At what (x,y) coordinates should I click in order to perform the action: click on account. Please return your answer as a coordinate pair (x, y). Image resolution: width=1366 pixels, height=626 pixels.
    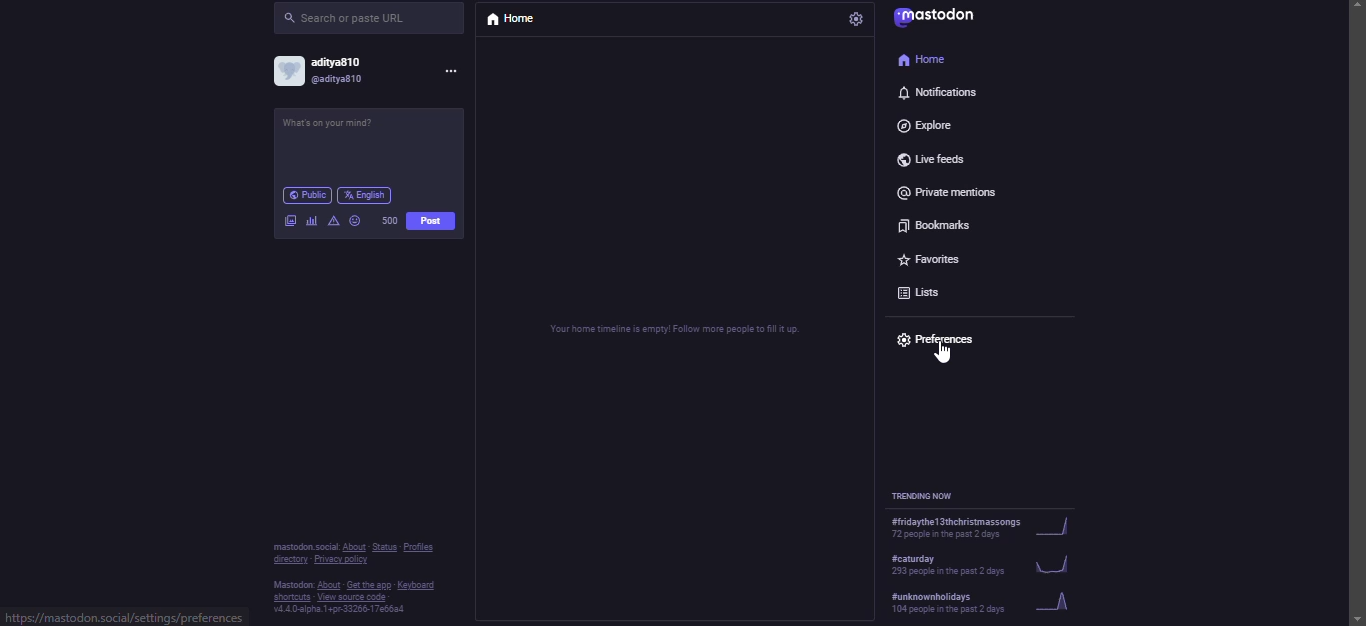
    Looking at the image, I should click on (322, 74).